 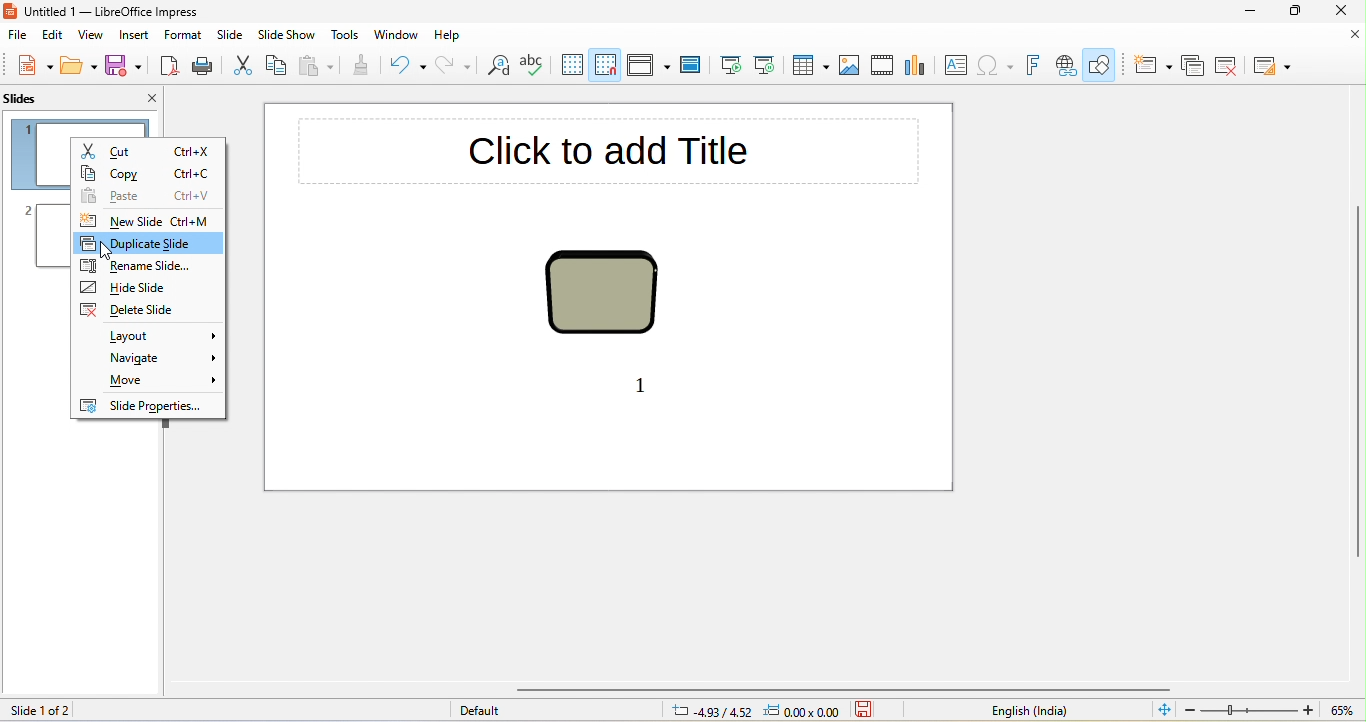 What do you see at coordinates (1231, 66) in the screenshot?
I see `delete slide` at bounding box center [1231, 66].